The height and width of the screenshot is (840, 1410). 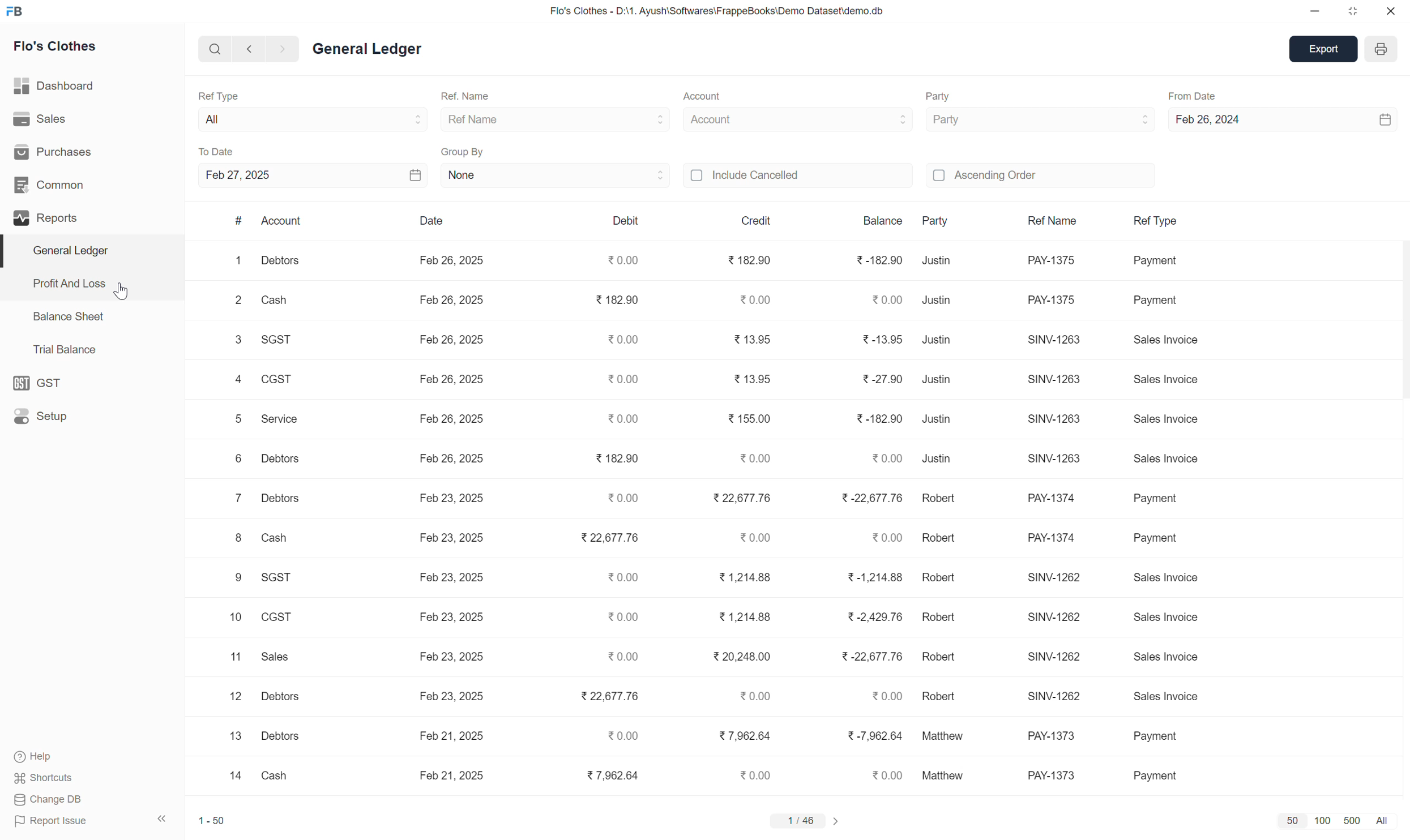 What do you see at coordinates (605, 539) in the screenshot?
I see `₹22,677.76` at bounding box center [605, 539].